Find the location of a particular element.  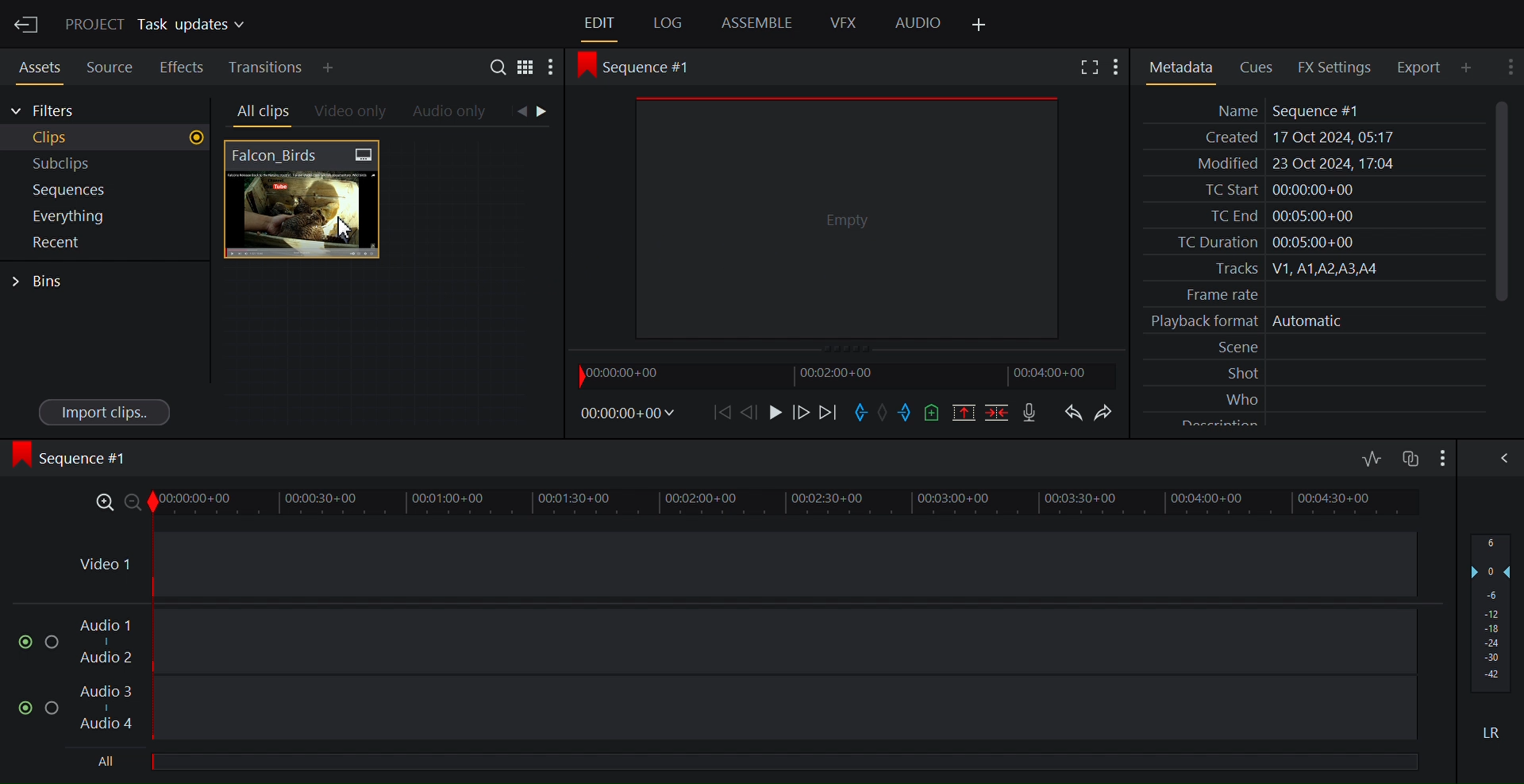

Assemble is located at coordinates (758, 22).